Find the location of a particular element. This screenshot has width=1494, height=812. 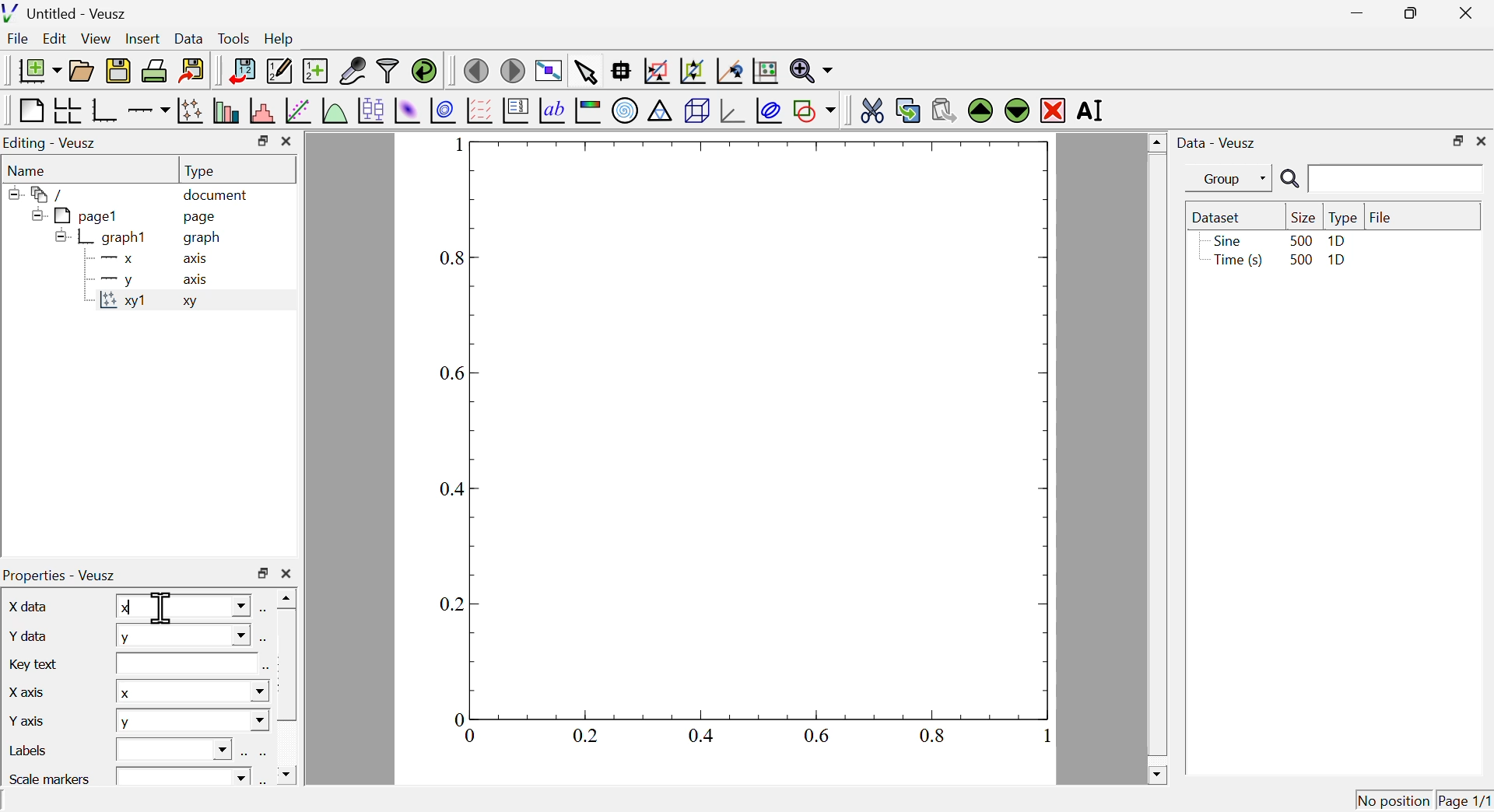

file is located at coordinates (1381, 215).